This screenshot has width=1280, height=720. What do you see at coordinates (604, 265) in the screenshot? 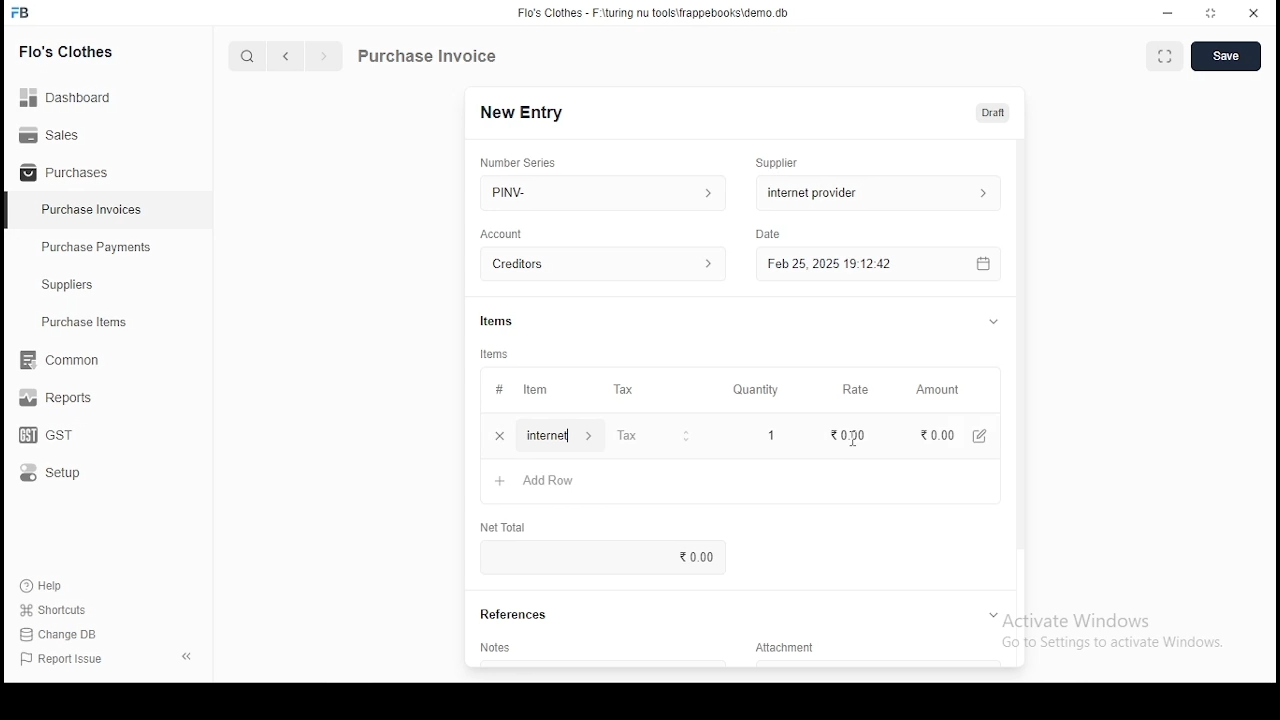
I see `account` at bounding box center [604, 265].